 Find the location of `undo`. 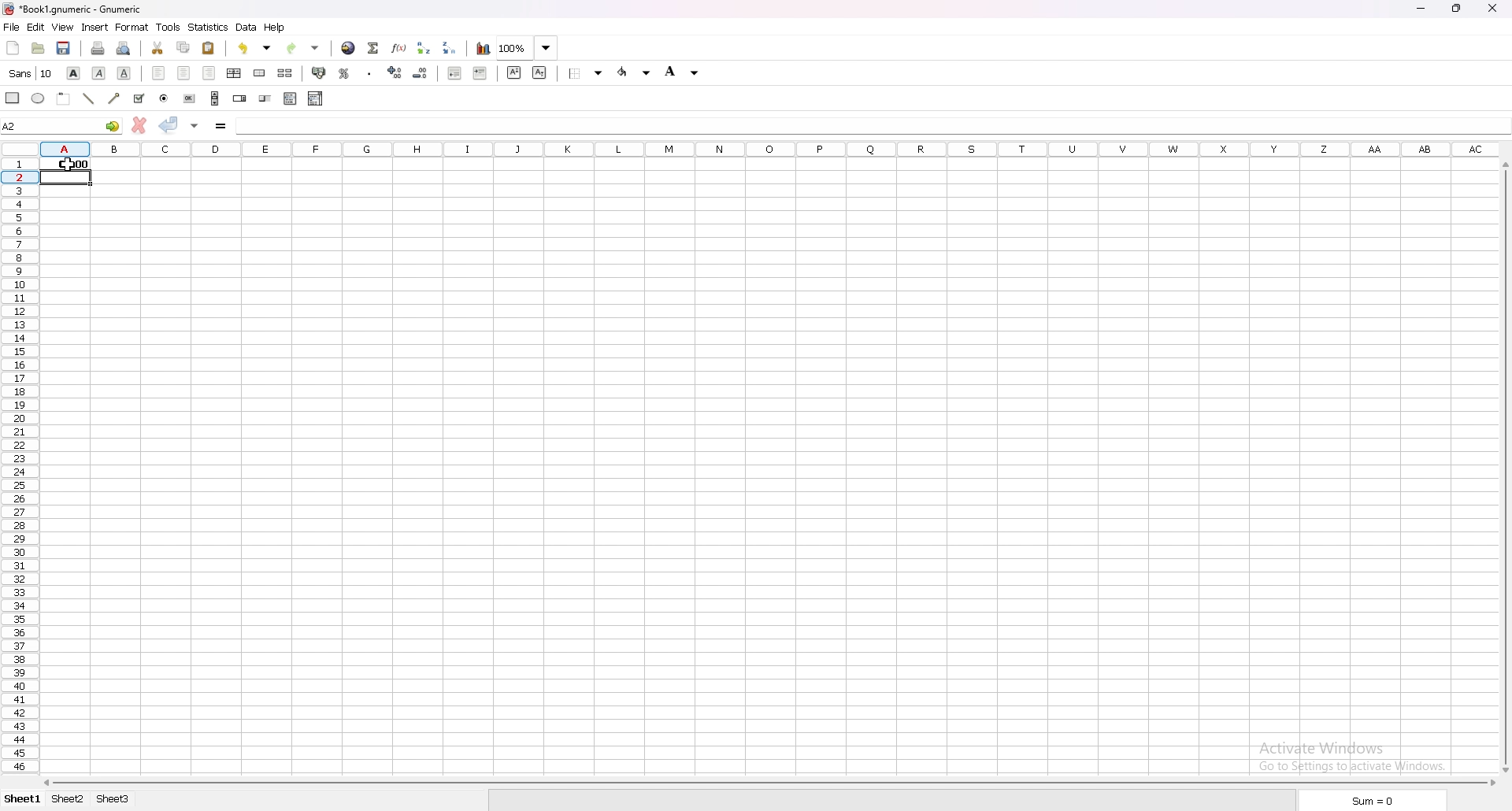

undo is located at coordinates (254, 48).